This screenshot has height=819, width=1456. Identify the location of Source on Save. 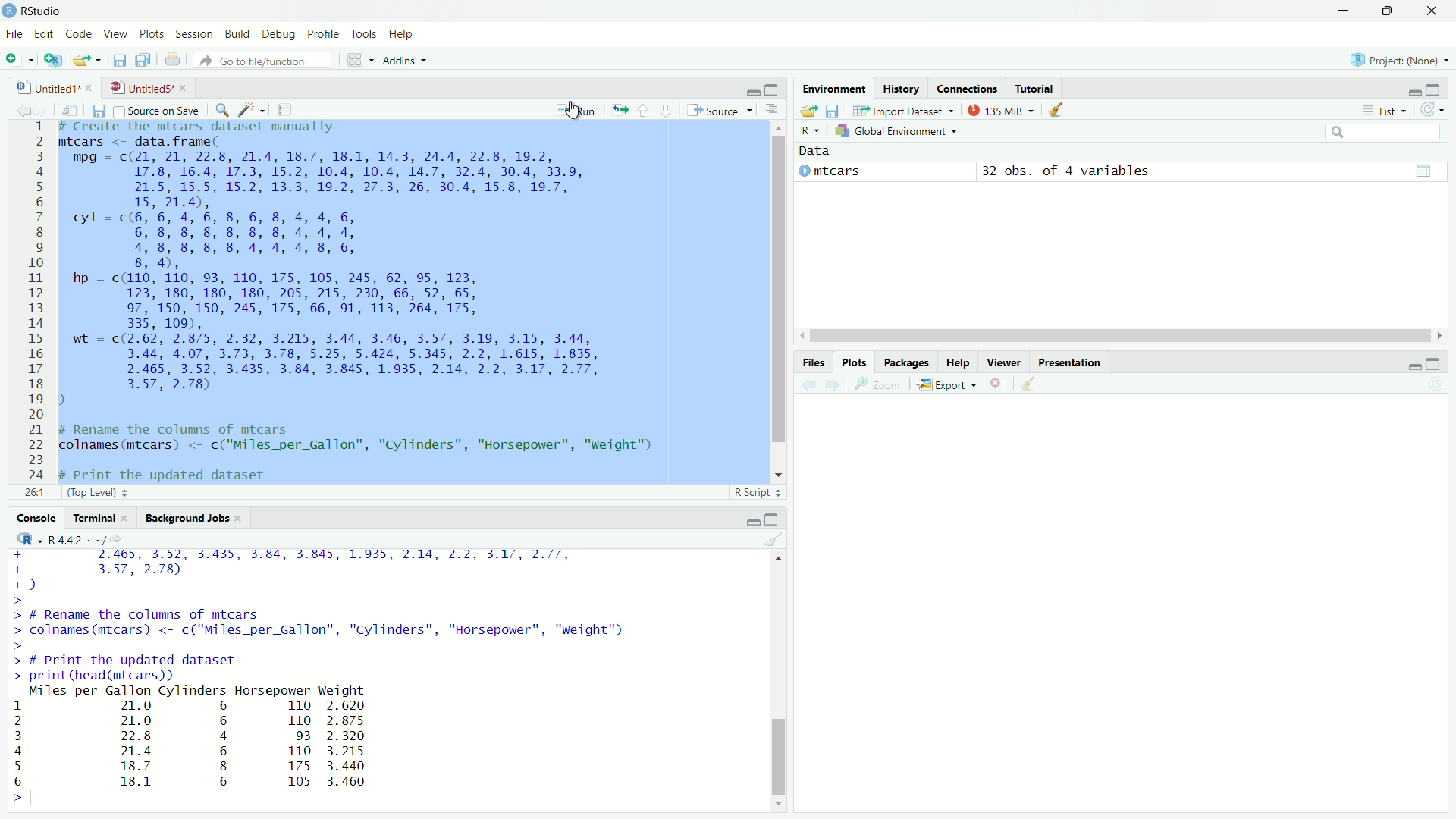
(158, 111).